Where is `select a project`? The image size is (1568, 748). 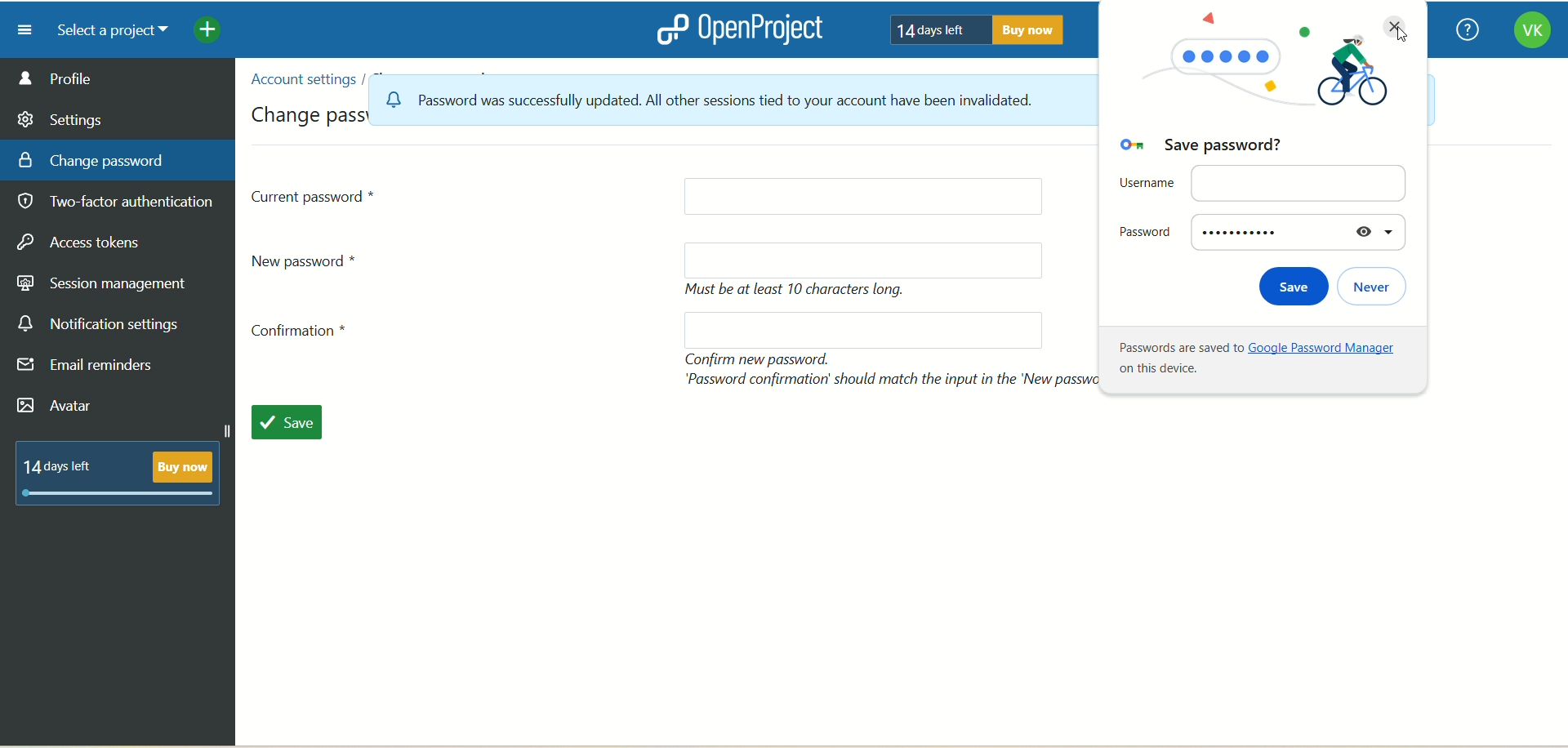
select a project is located at coordinates (106, 31).